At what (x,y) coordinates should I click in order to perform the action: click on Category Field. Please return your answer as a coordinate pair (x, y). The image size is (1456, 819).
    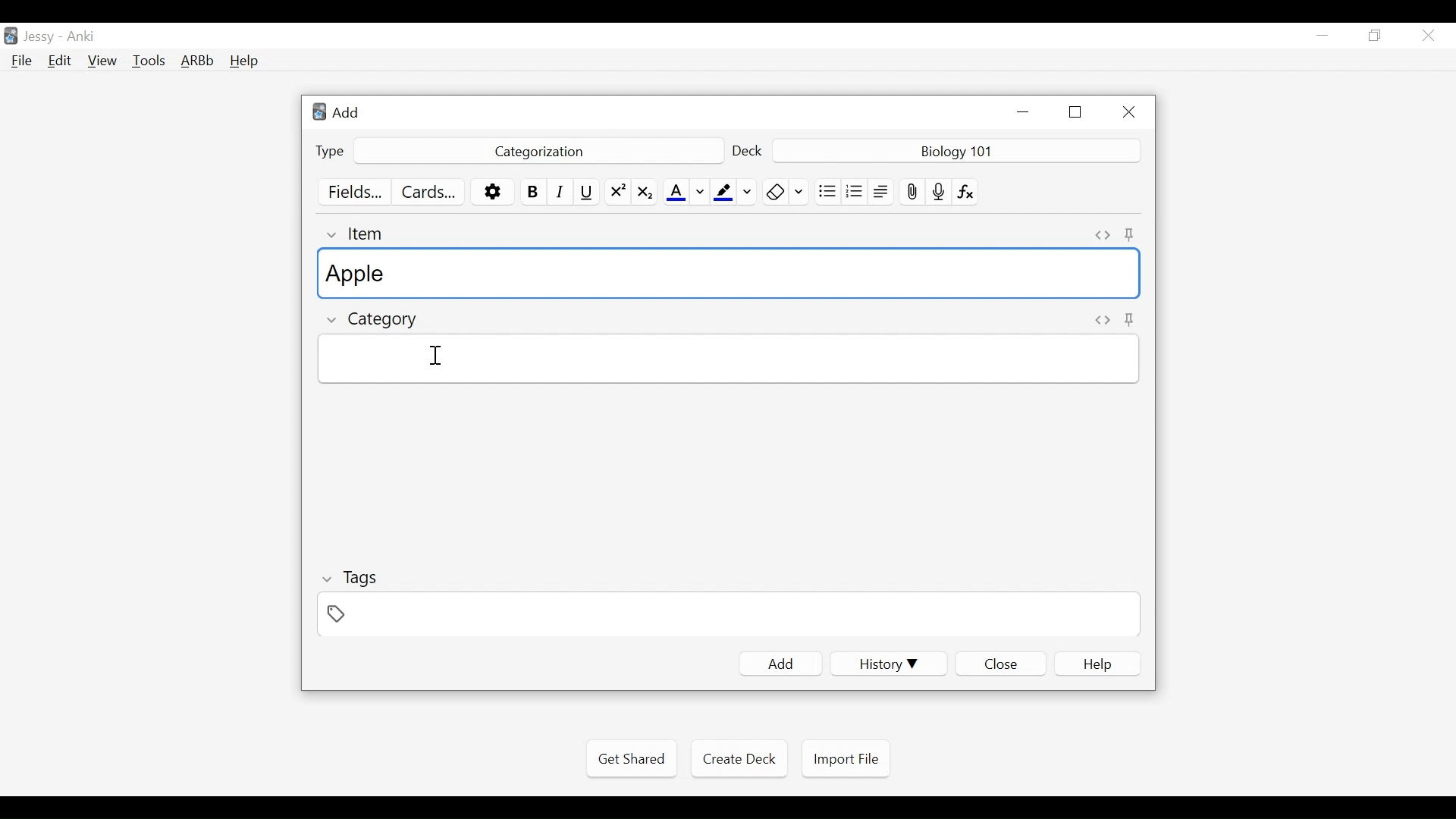
    Looking at the image, I should click on (727, 359).